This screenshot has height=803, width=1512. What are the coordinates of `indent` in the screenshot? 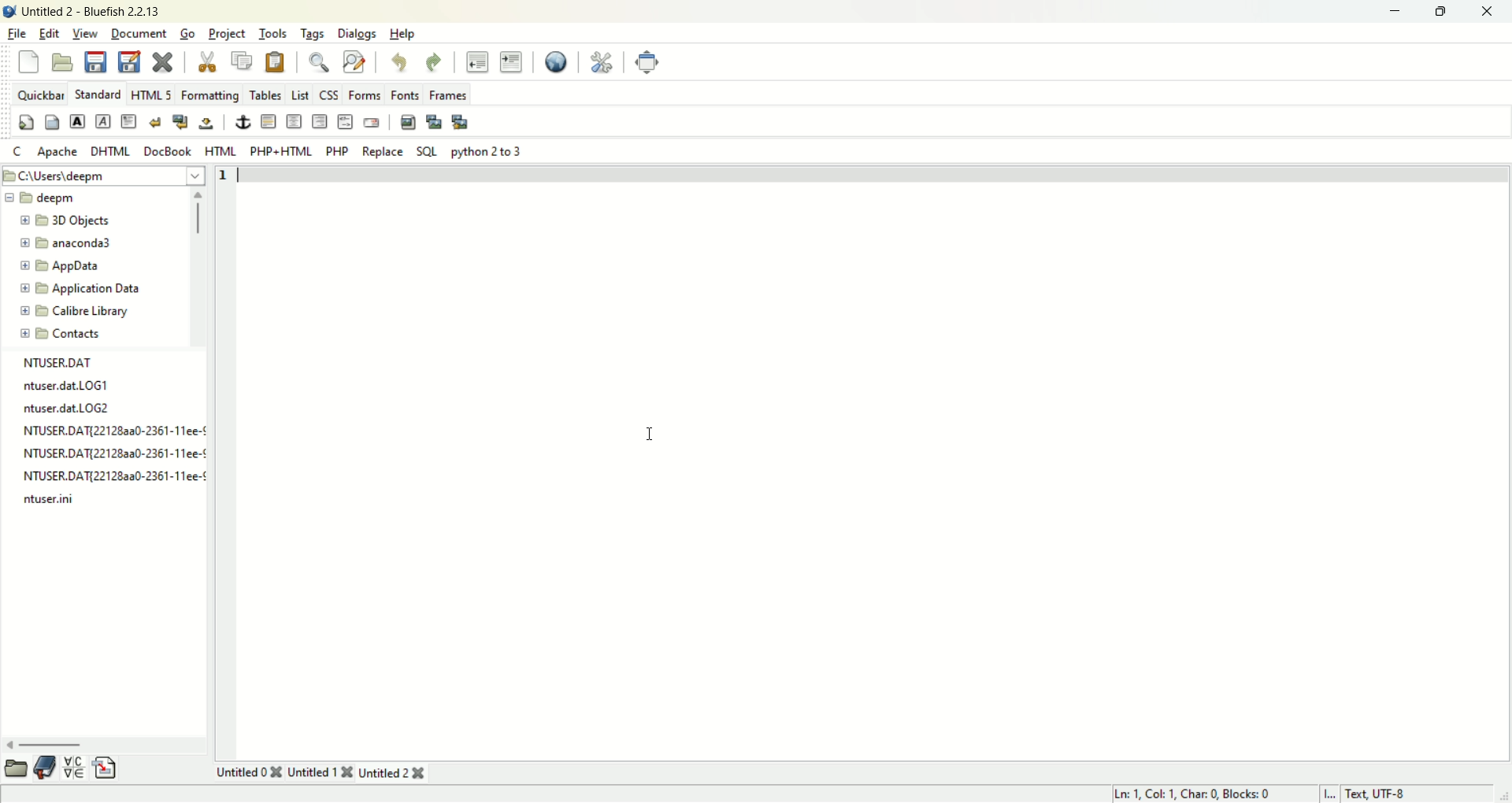 It's located at (512, 61).